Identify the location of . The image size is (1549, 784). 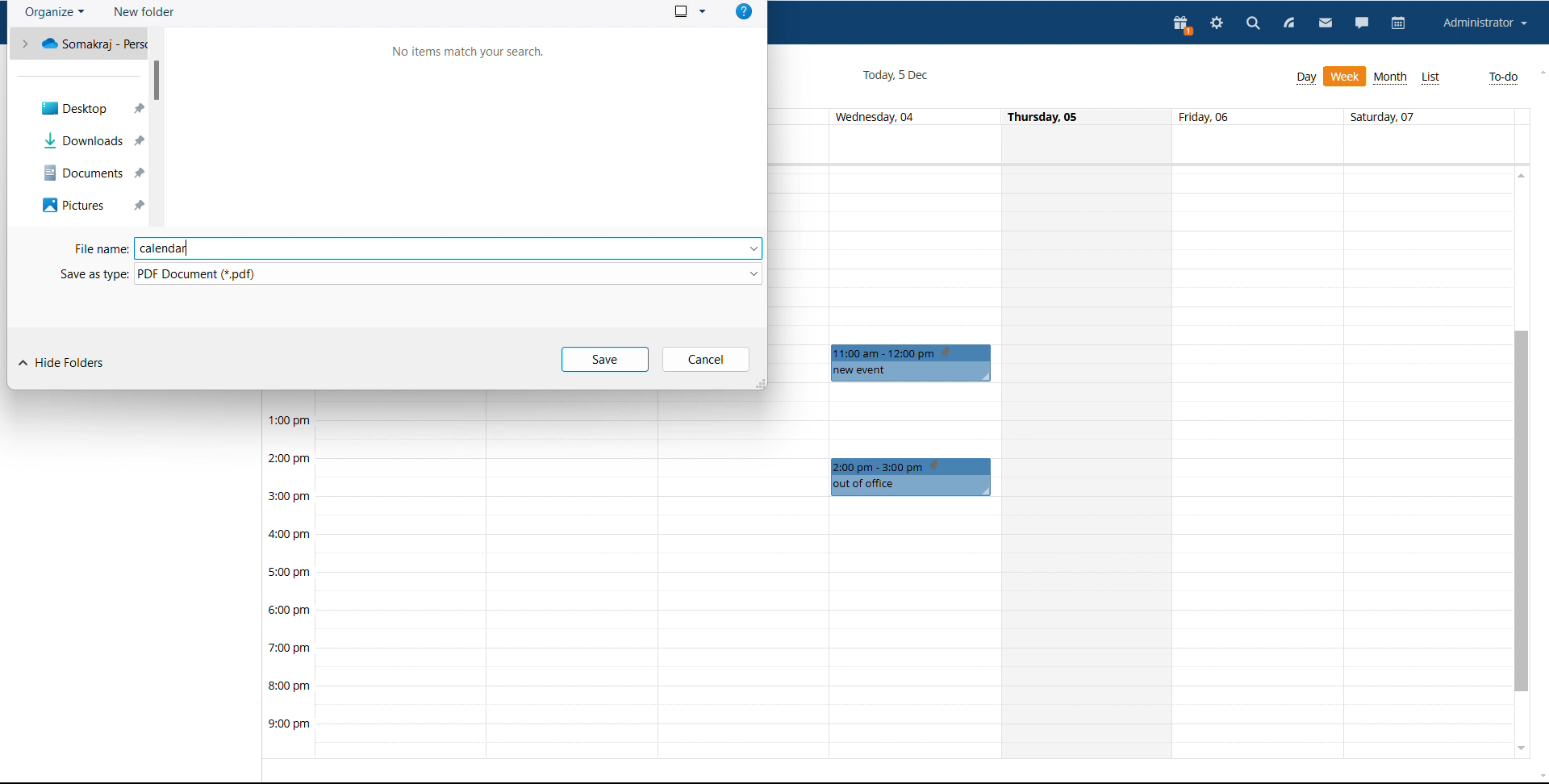
(912, 477).